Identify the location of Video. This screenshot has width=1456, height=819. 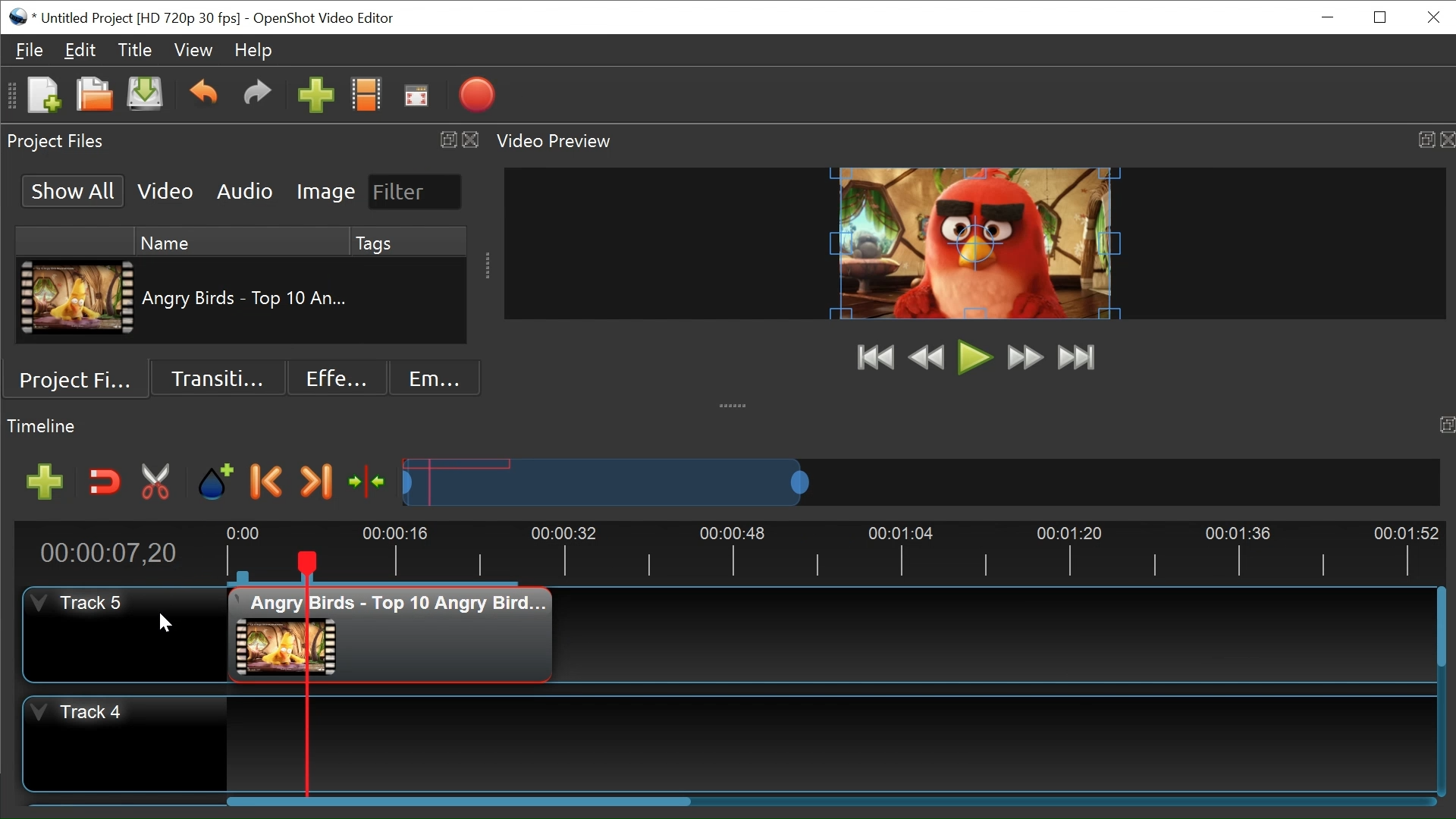
(166, 190).